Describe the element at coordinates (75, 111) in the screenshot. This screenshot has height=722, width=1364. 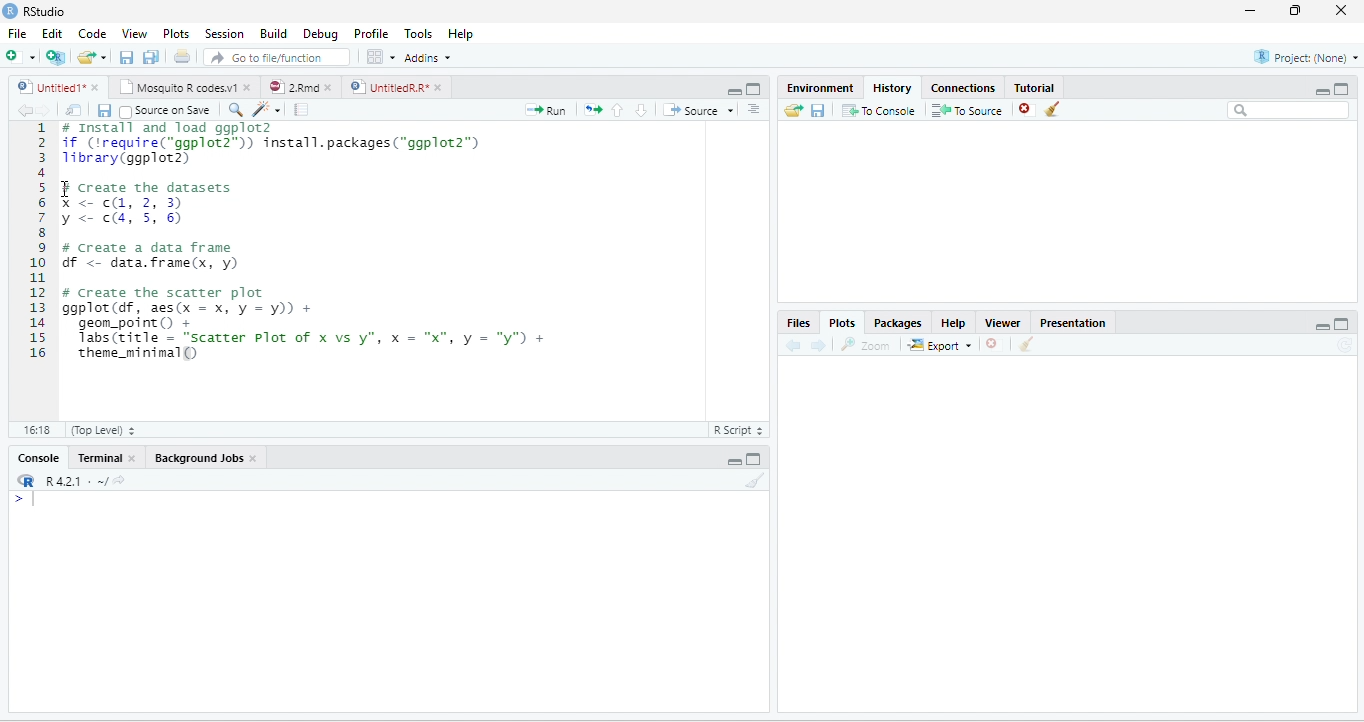
I see `Show in new window` at that location.